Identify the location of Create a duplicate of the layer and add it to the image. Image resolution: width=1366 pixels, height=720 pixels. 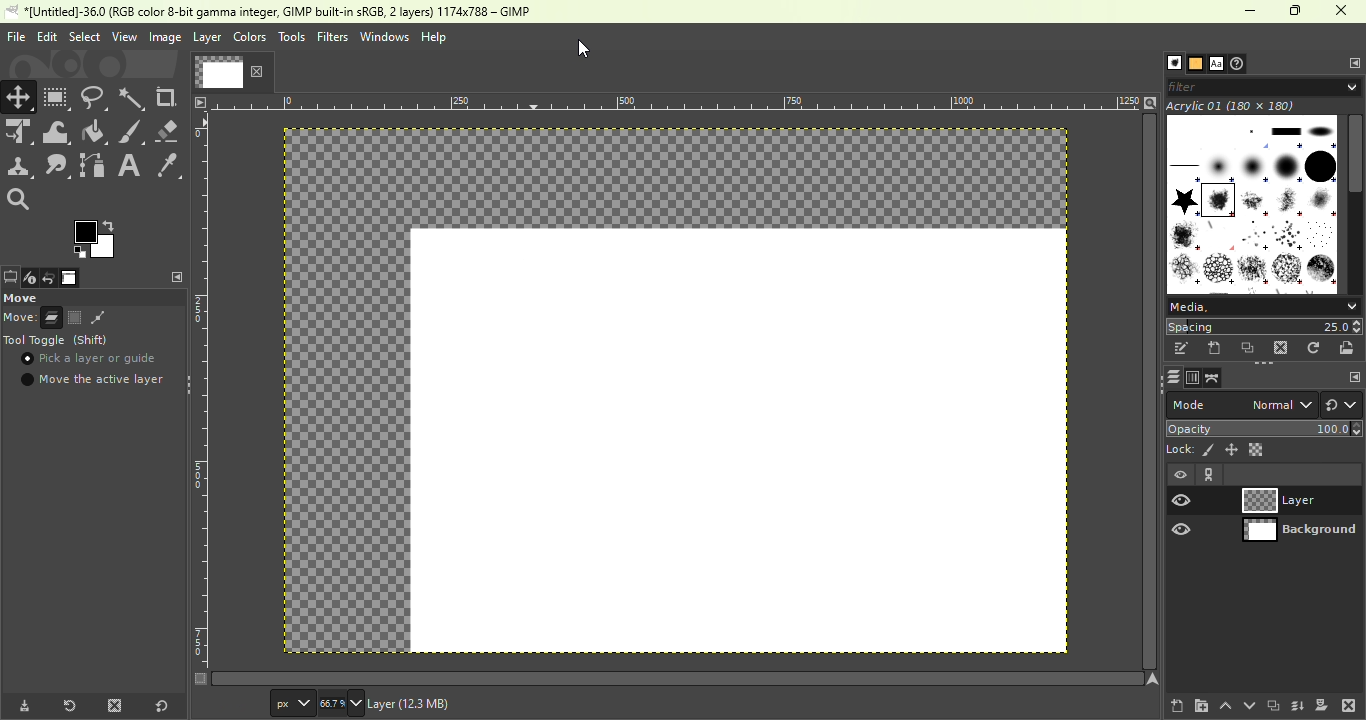
(1272, 705).